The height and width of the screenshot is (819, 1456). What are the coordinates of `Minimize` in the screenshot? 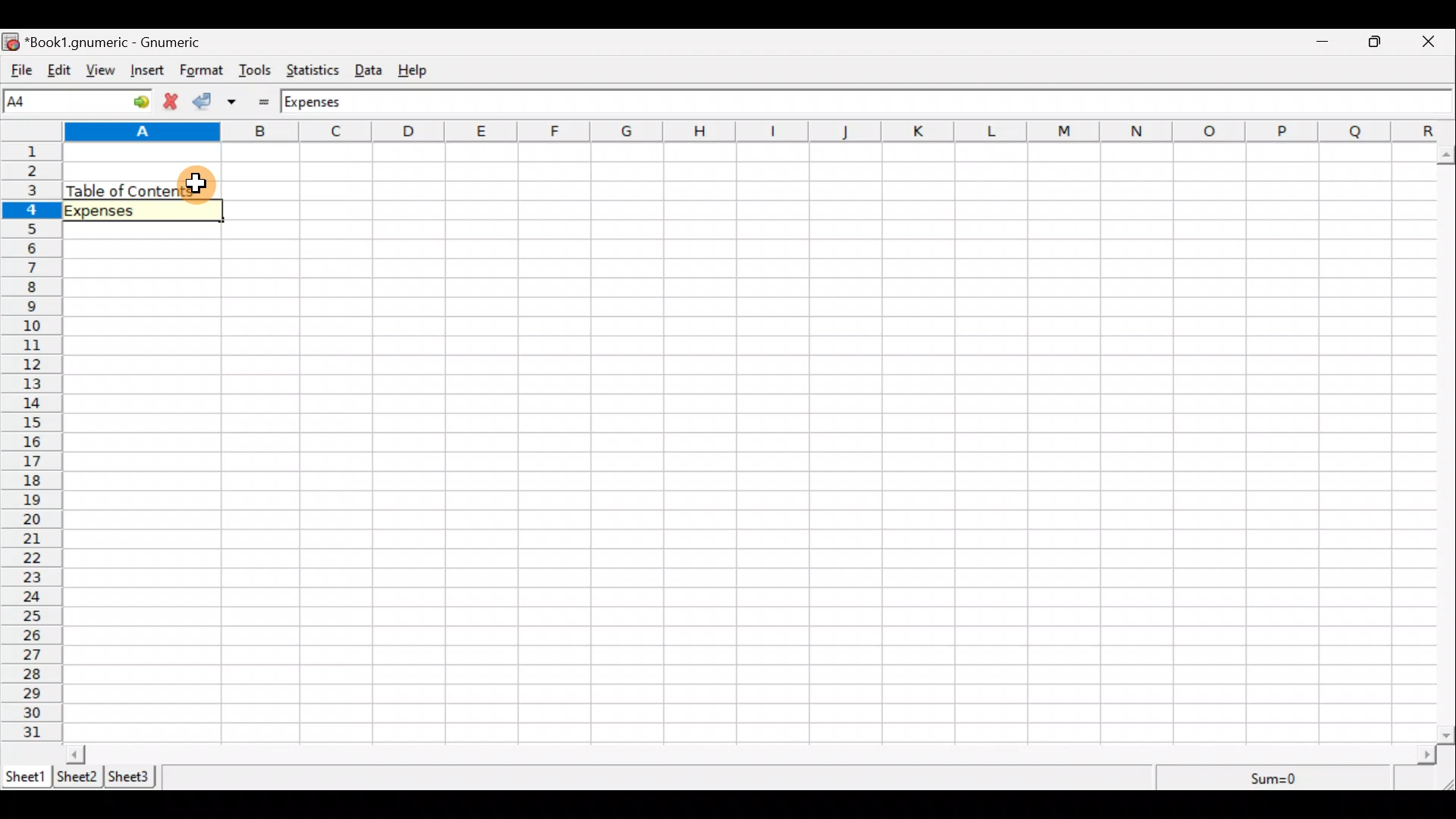 It's located at (1323, 43).